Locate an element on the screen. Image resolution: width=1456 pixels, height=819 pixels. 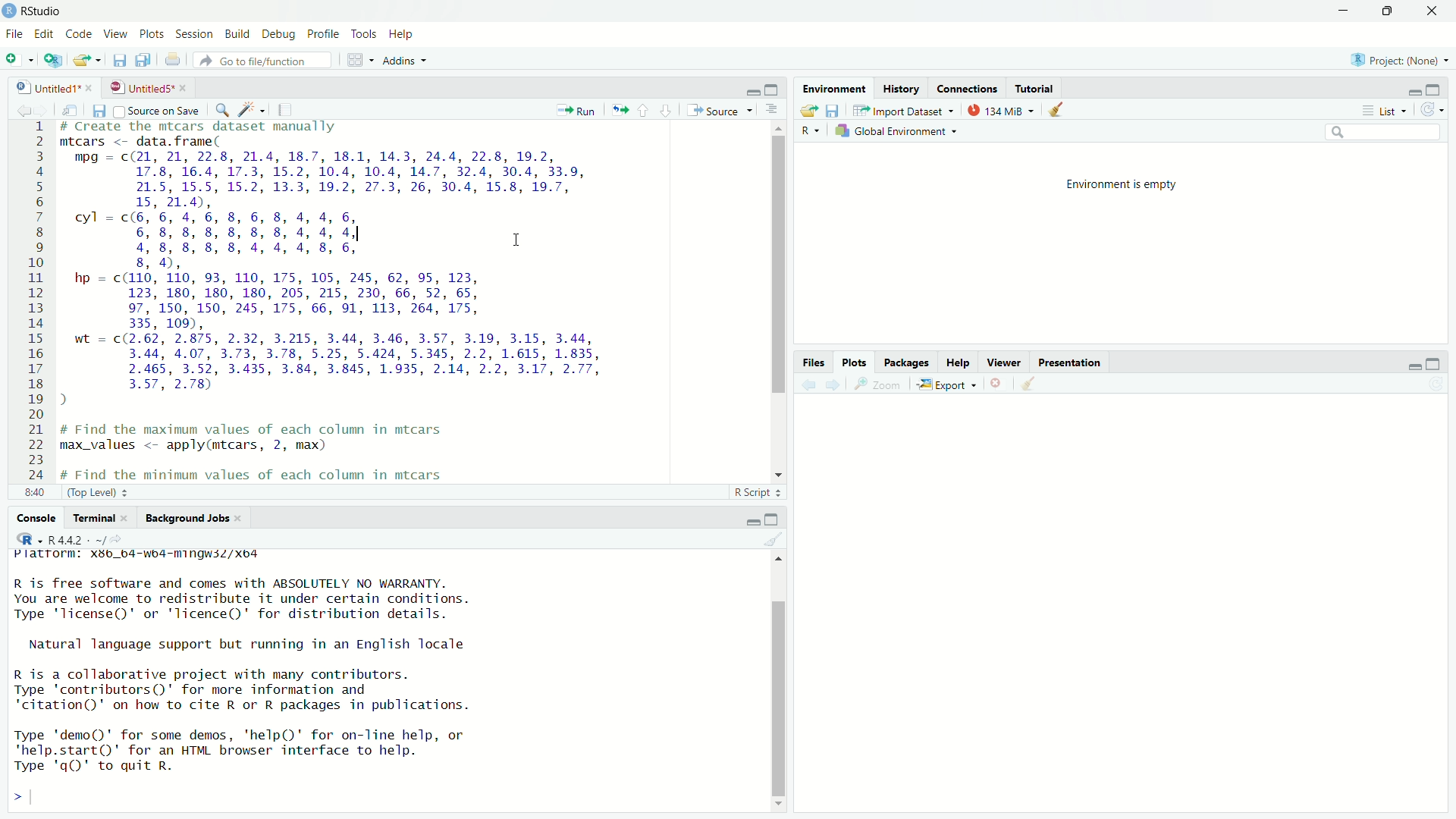
close is located at coordinates (999, 382).